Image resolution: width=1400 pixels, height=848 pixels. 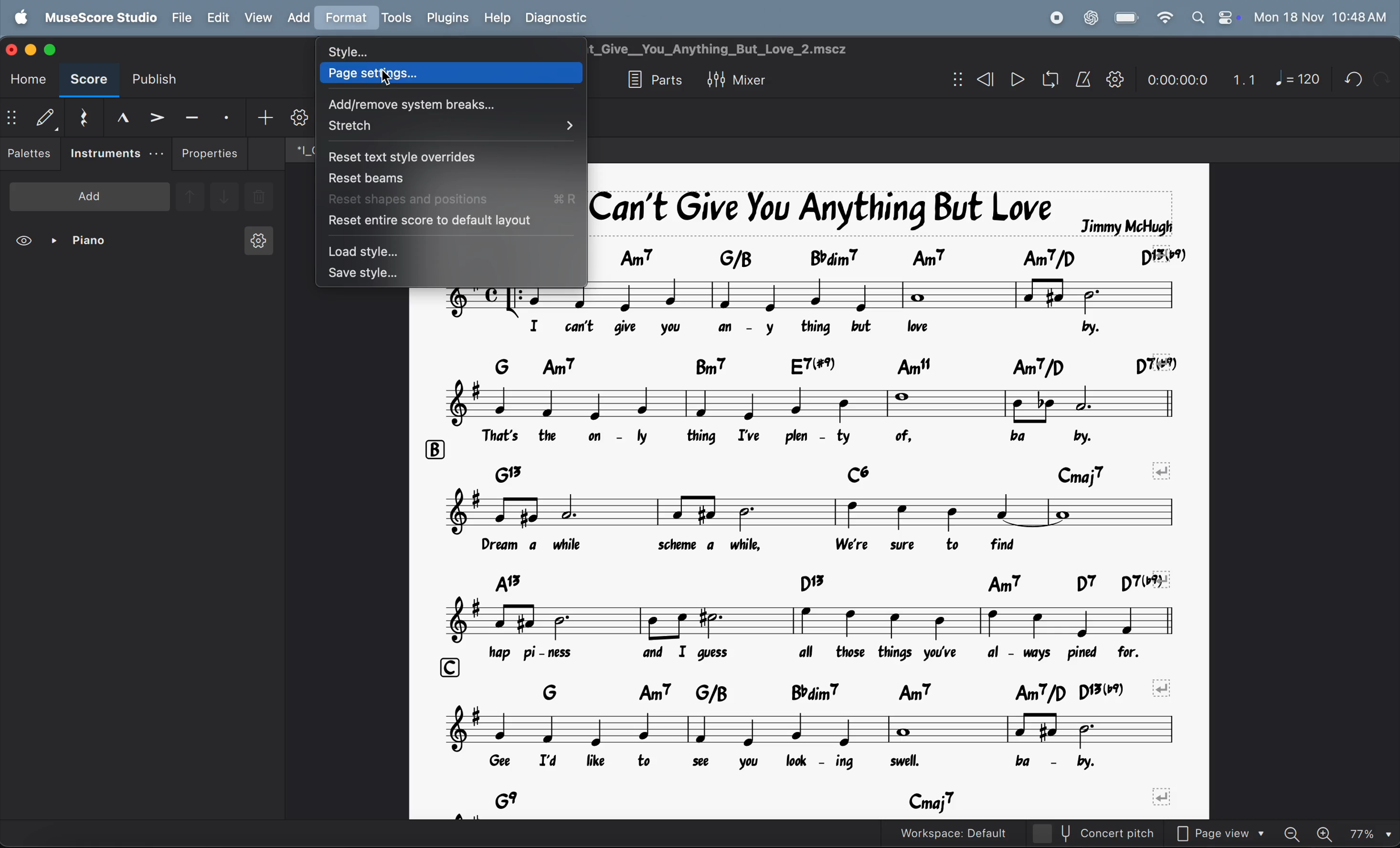 What do you see at coordinates (651, 81) in the screenshot?
I see `parts` at bounding box center [651, 81].